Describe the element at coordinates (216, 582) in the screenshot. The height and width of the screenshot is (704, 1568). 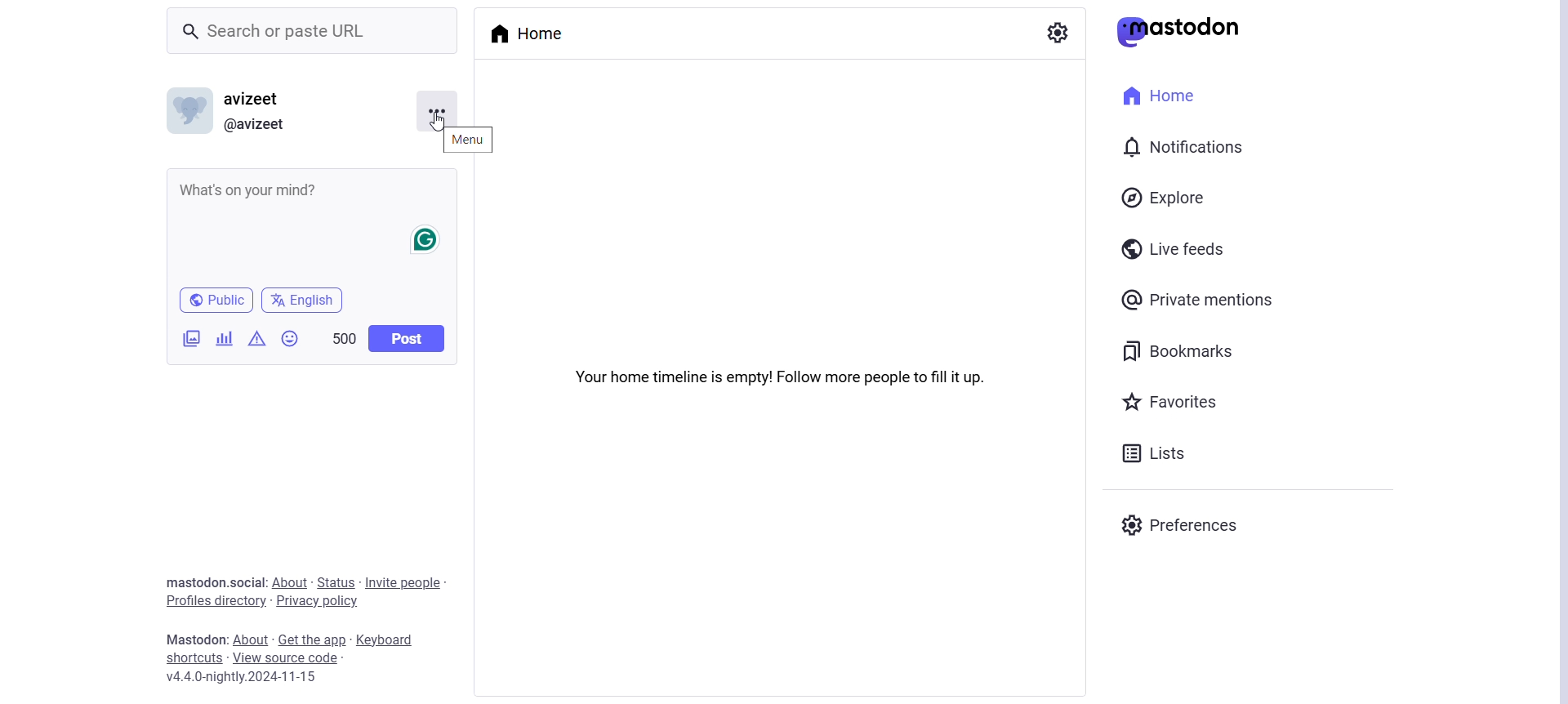
I see `Text` at that location.